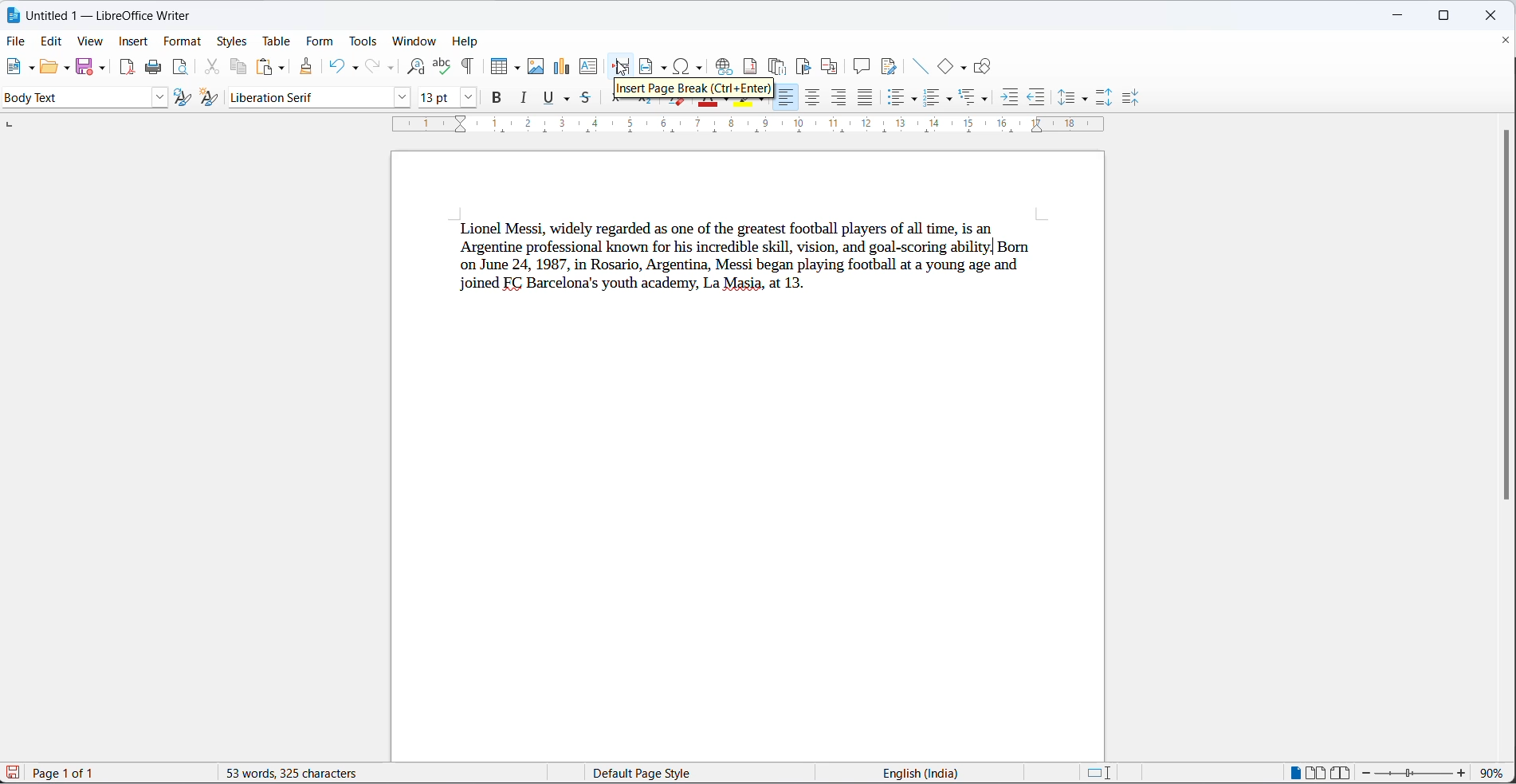 The height and width of the screenshot is (784, 1516). Describe the element at coordinates (523, 98) in the screenshot. I see `italic` at that location.